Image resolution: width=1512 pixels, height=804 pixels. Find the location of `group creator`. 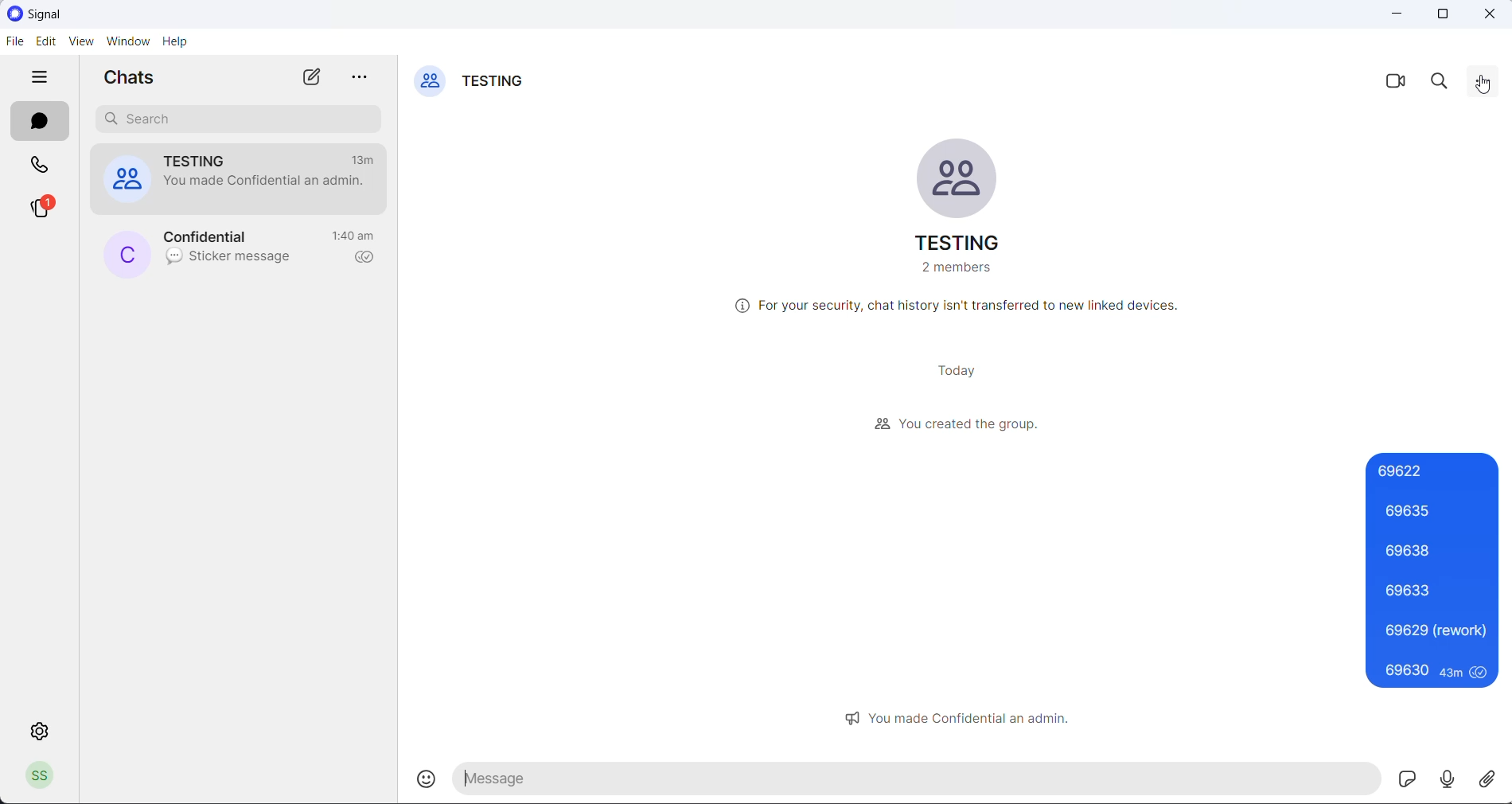

group creator is located at coordinates (957, 423).